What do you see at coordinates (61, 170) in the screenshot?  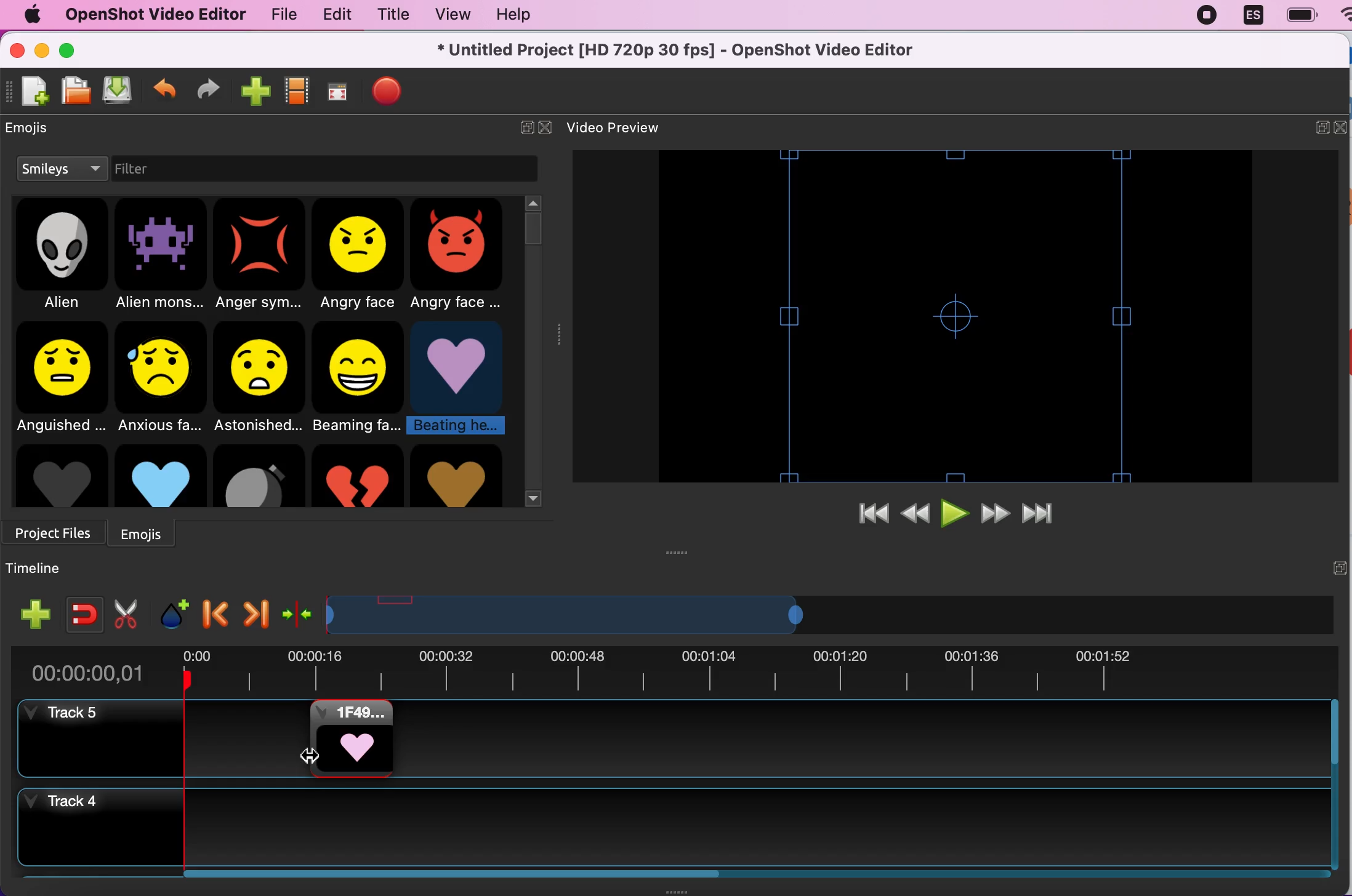 I see `smileys` at bounding box center [61, 170].